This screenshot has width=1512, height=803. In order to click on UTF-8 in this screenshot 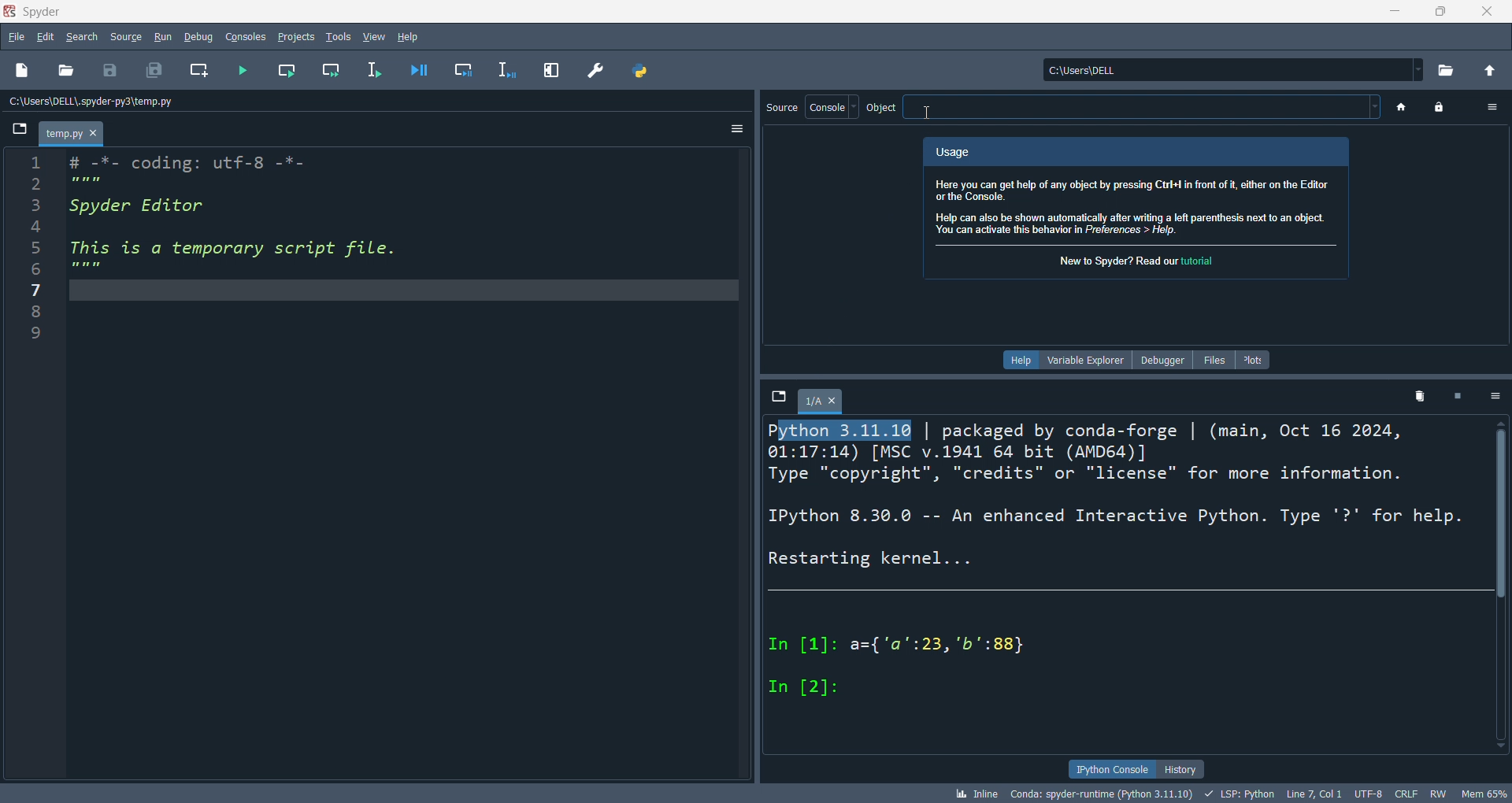, I will do `click(1367, 792)`.